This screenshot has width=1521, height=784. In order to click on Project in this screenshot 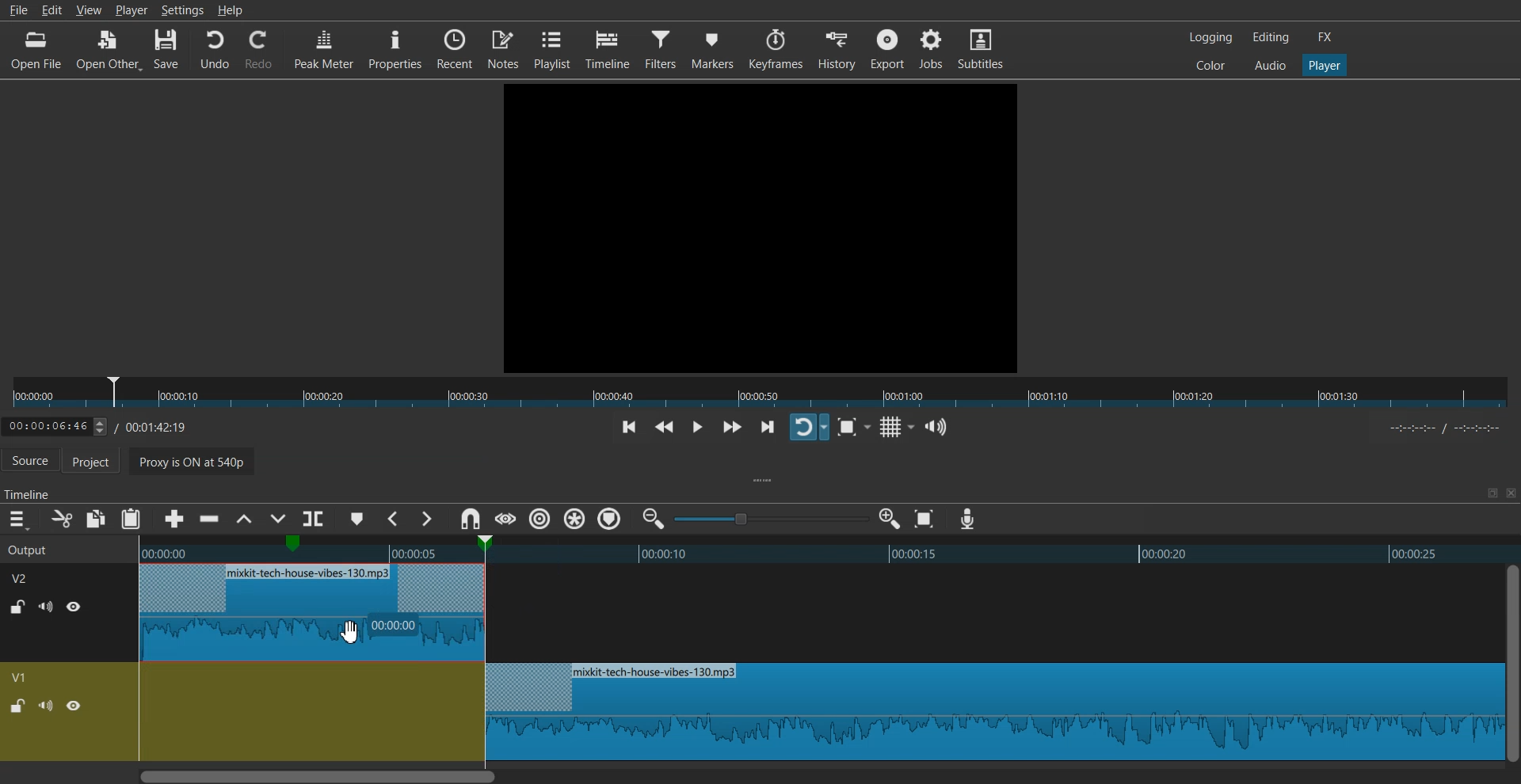, I will do `click(99, 462)`.